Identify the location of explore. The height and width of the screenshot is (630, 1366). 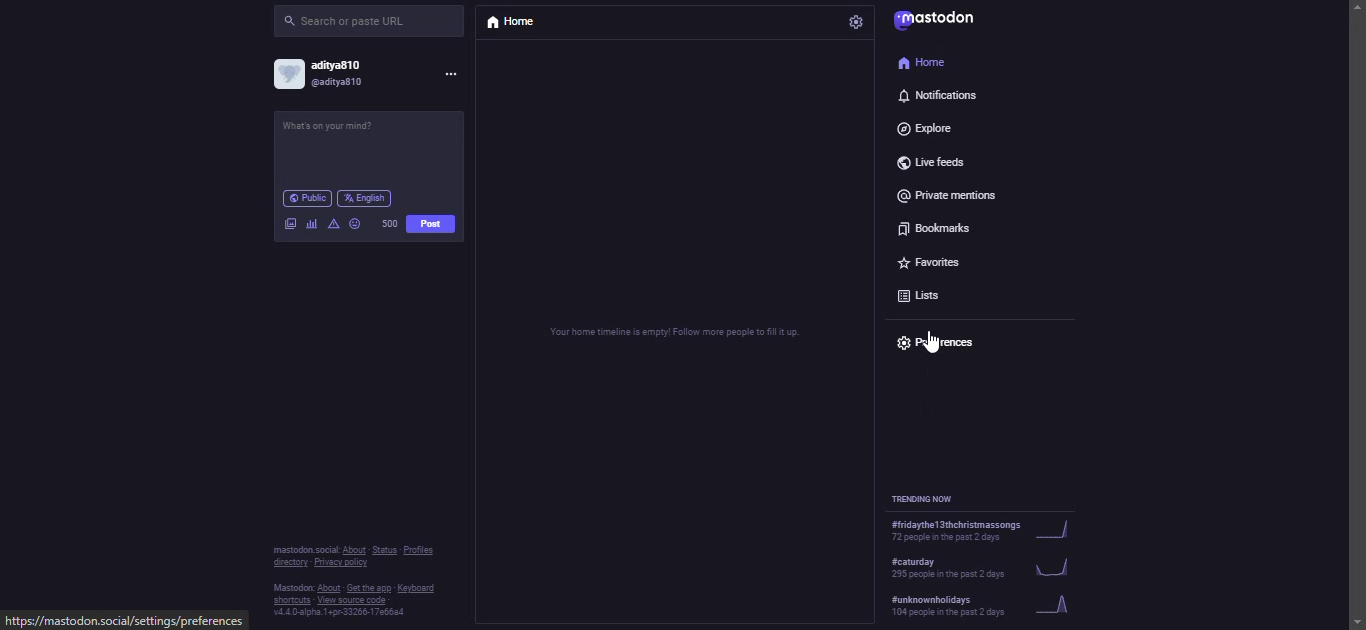
(932, 129).